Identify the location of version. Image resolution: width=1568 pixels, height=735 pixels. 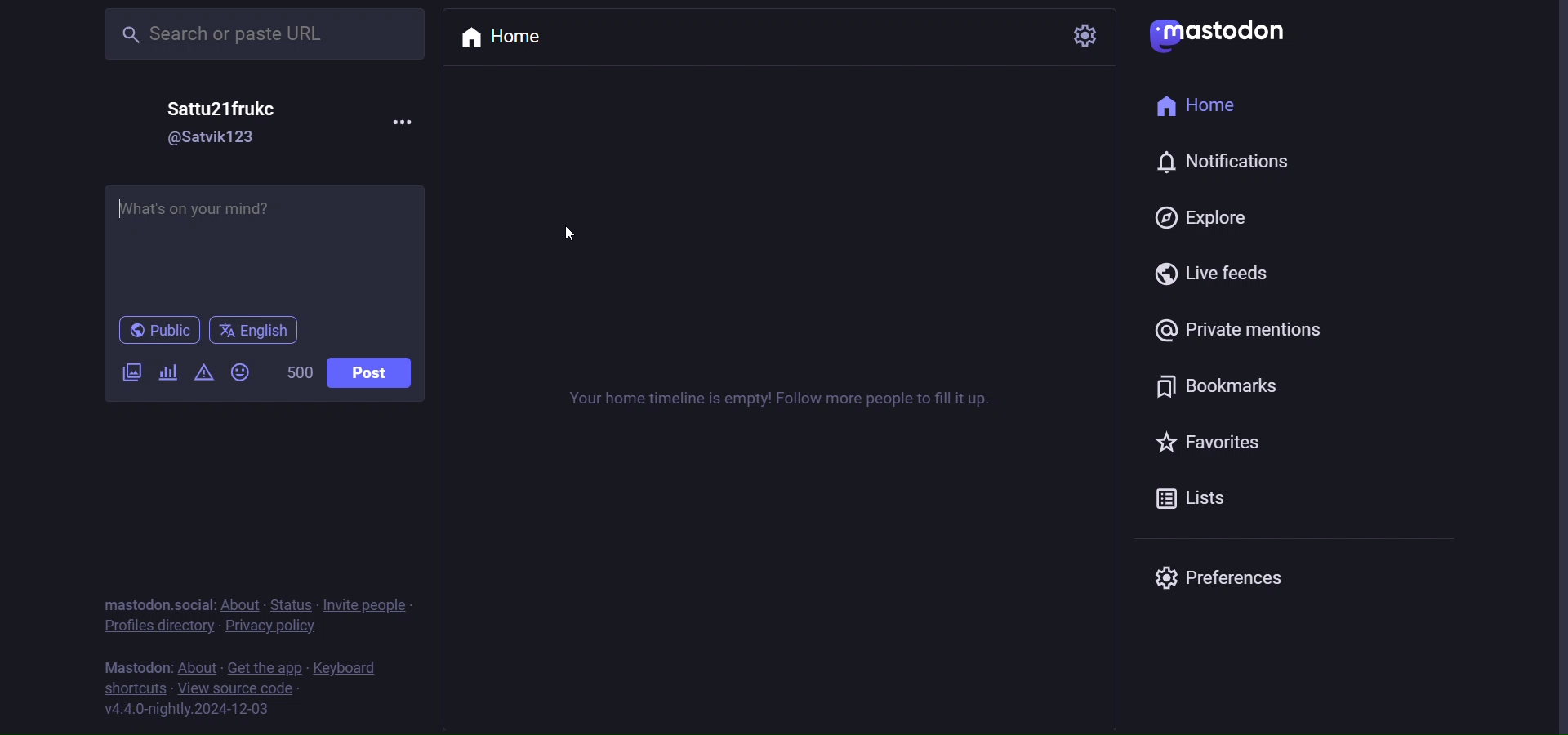
(190, 710).